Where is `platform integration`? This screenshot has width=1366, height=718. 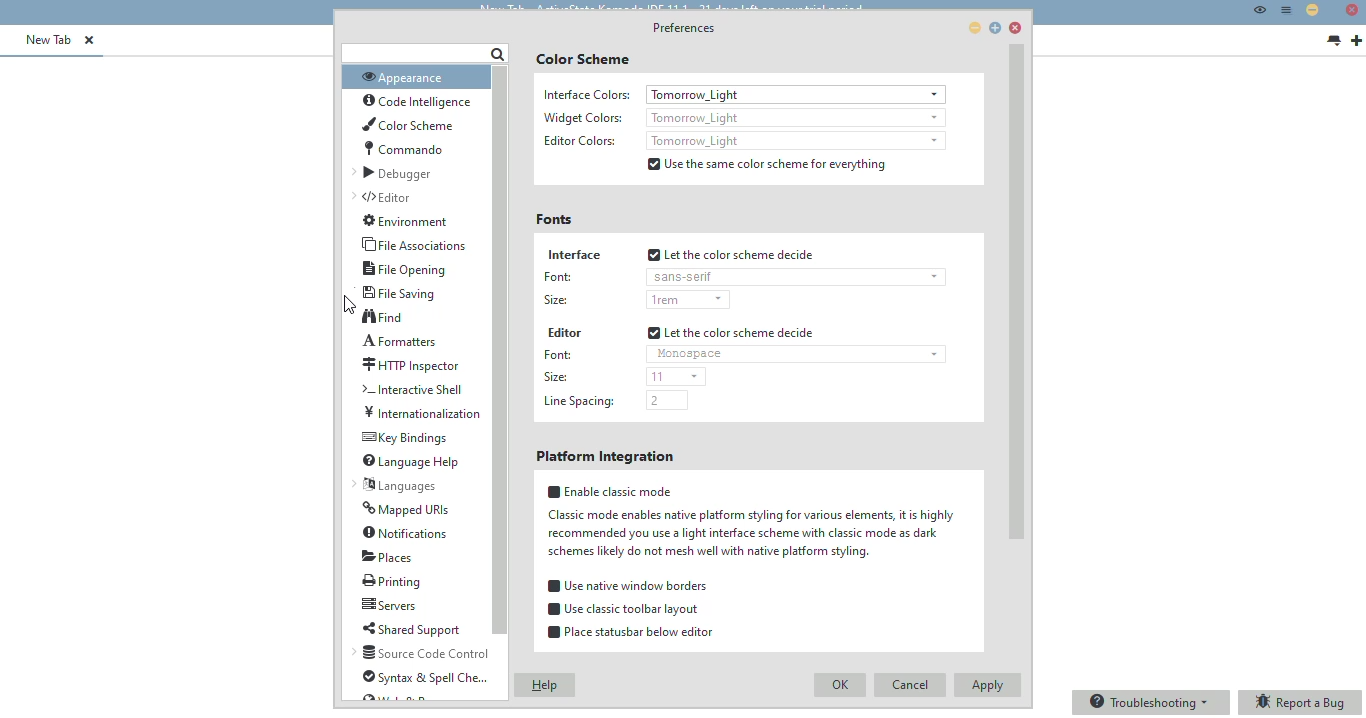 platform integration is located at coordinates (606, 456).